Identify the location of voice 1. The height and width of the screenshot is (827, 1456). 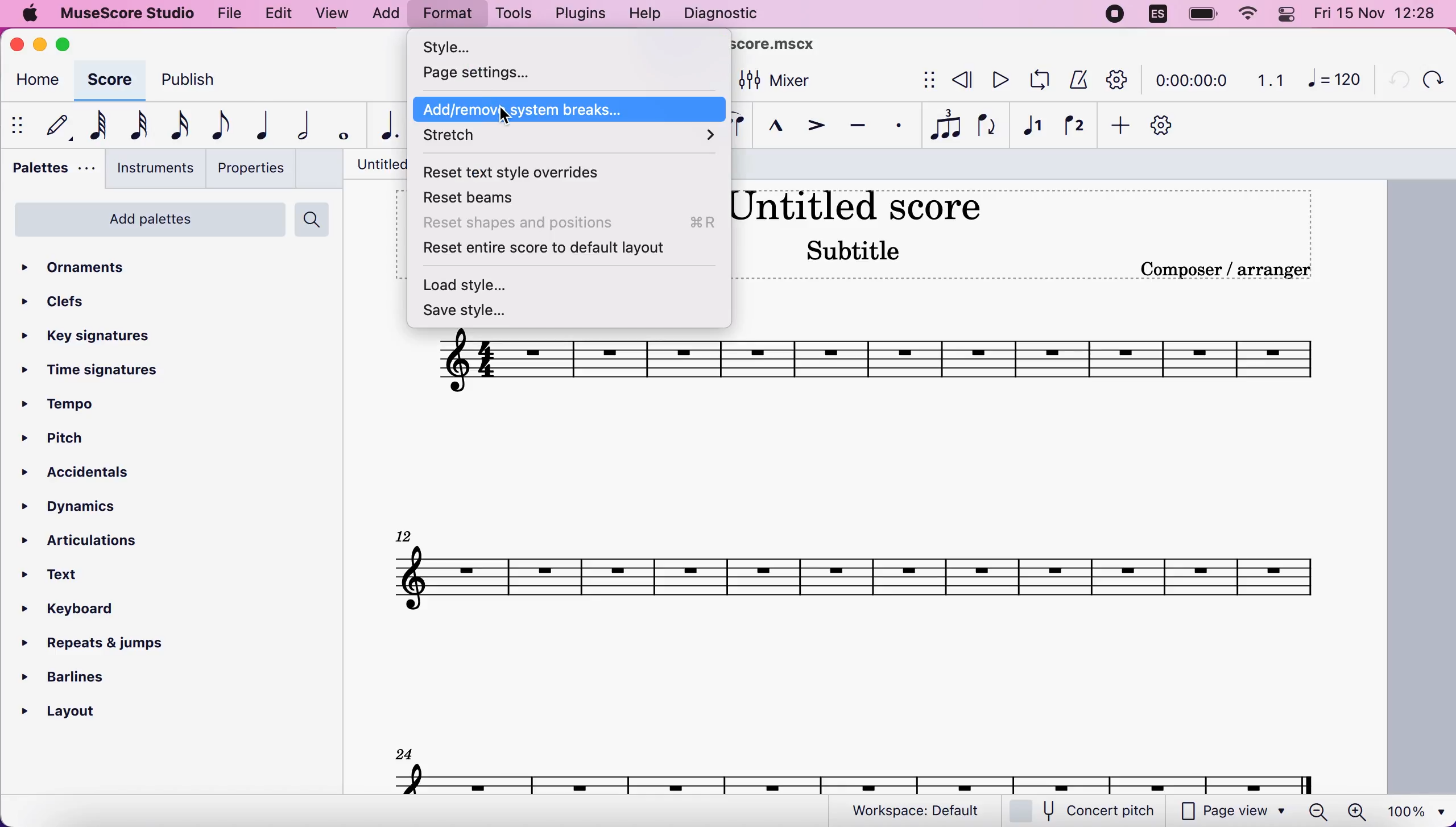
(1033, 127).